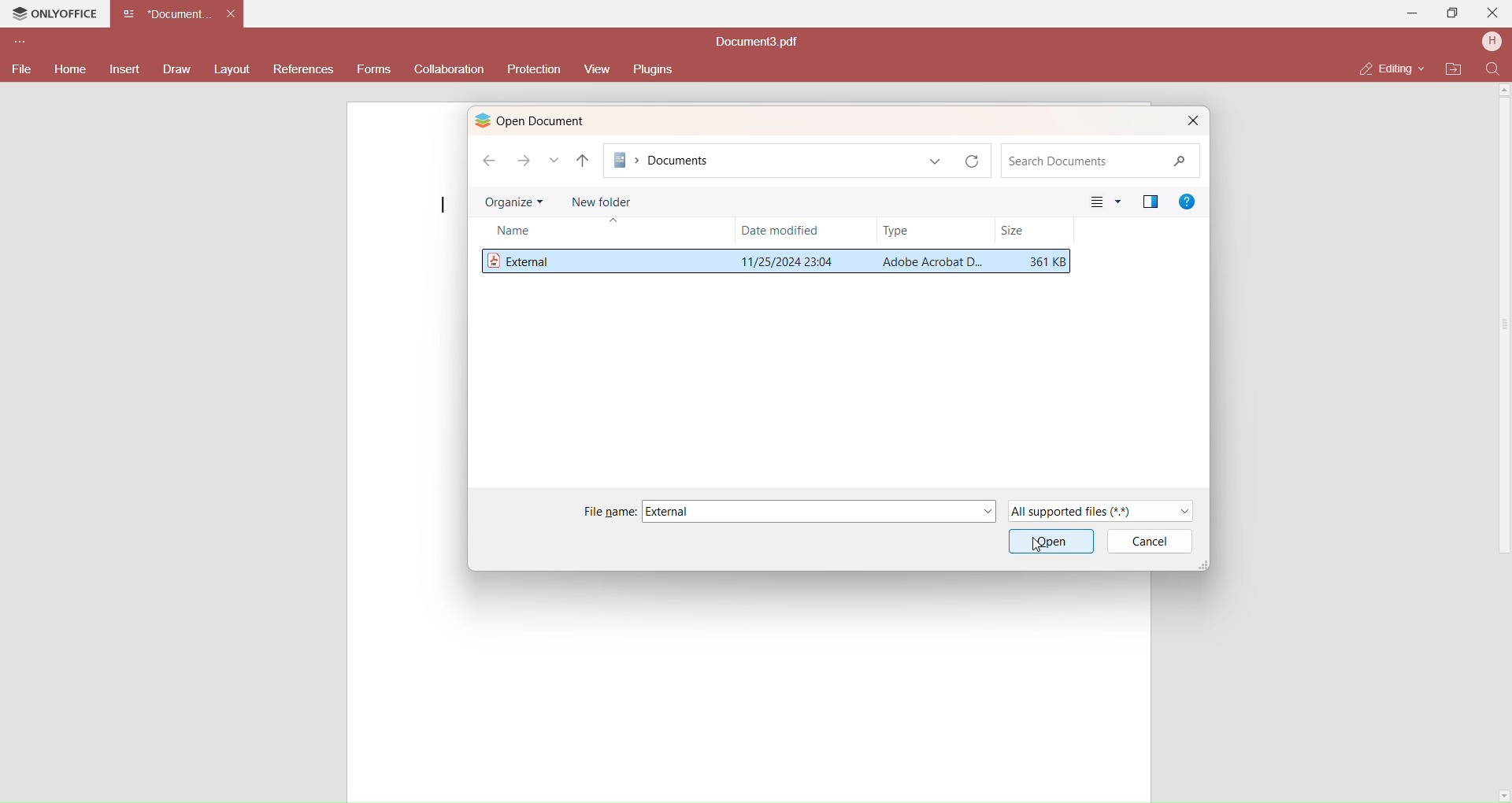 This screenshot has width=1512, height=803. What do you see at coordinates (1036, 546) in the screenshot?
I see `Cursor` at bounding box center [1036, 546].